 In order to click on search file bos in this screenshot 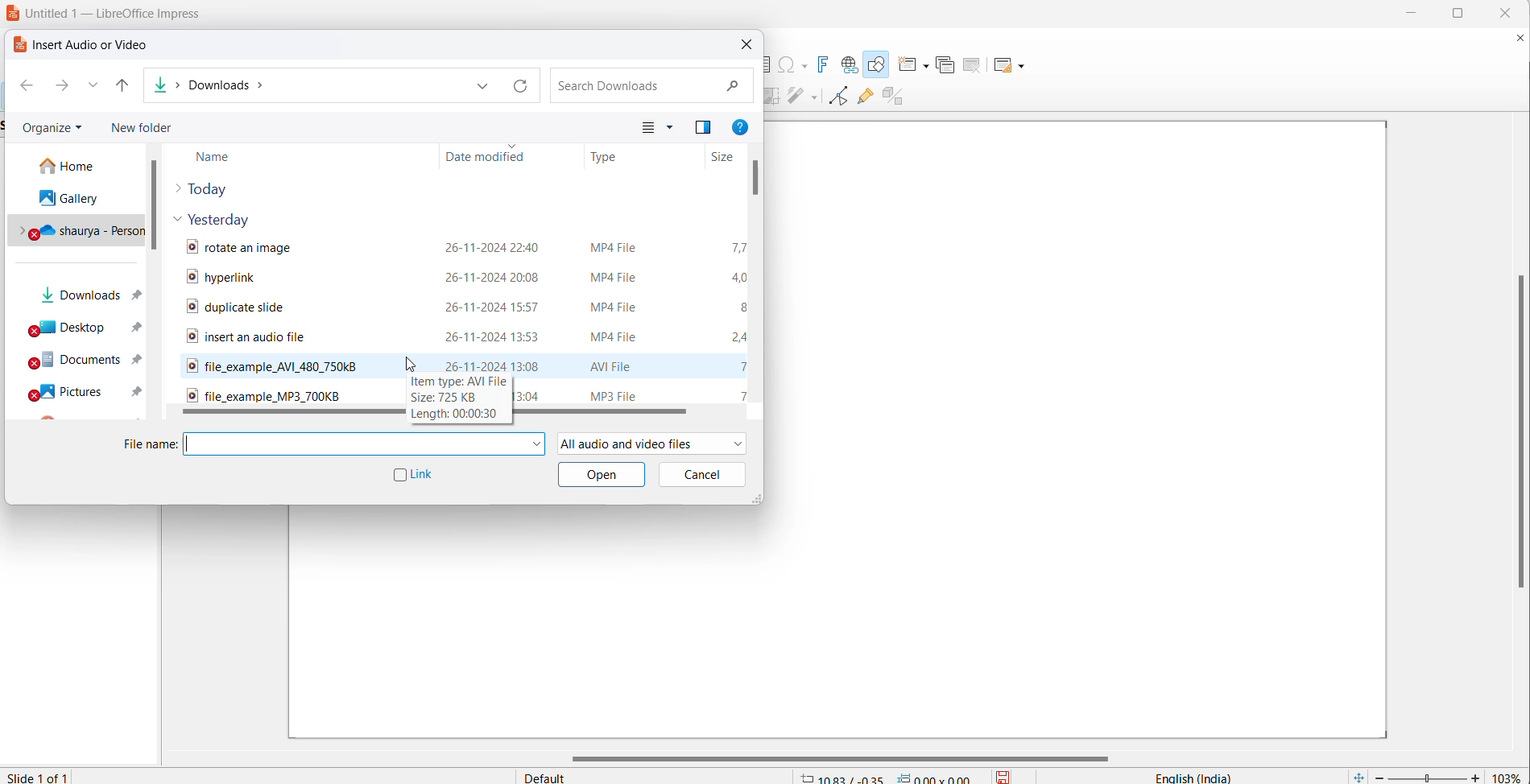, I will do `click(655, 85)`.